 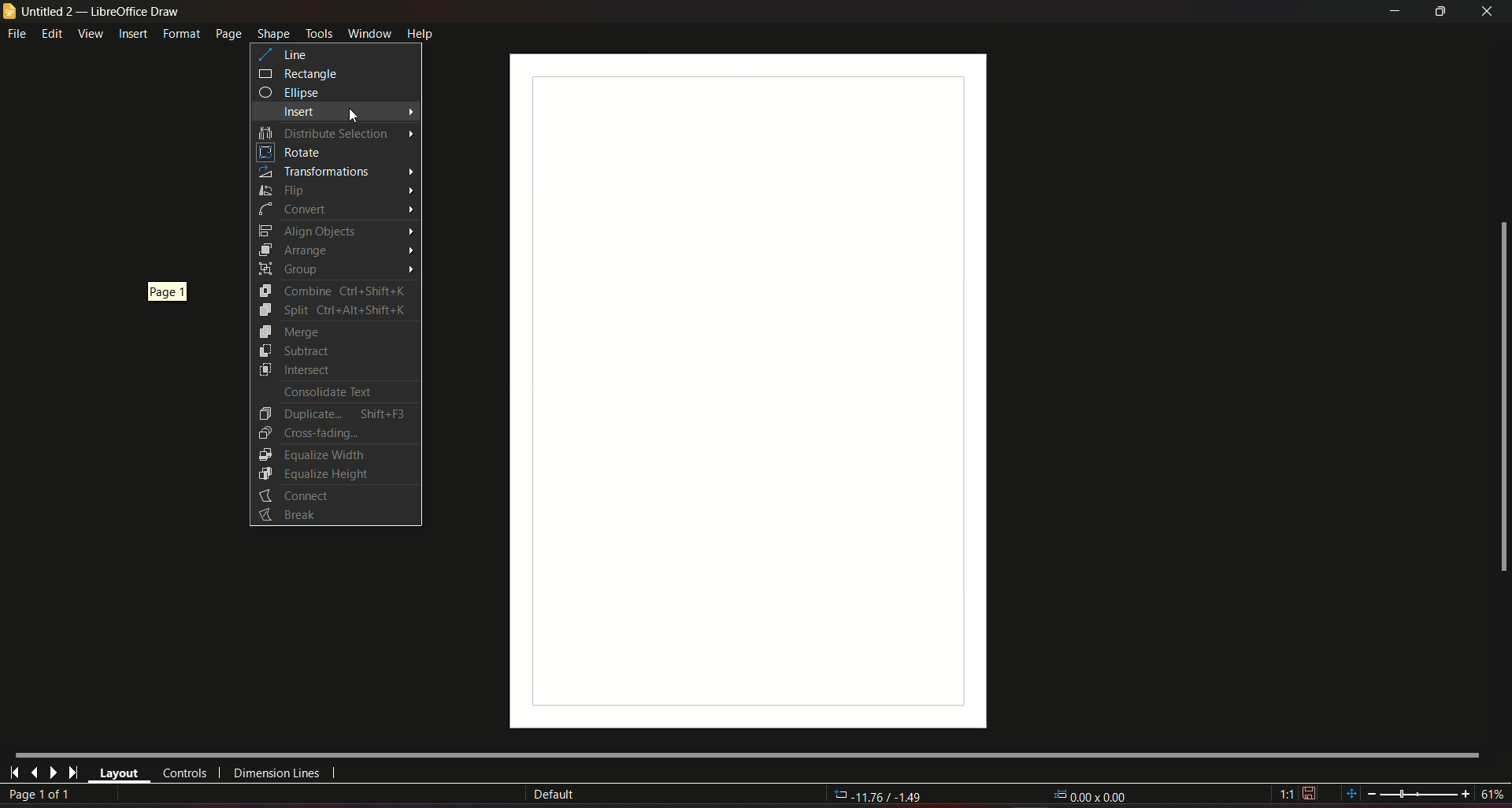 I want to click on Intersect, so click(x=296, y=369).